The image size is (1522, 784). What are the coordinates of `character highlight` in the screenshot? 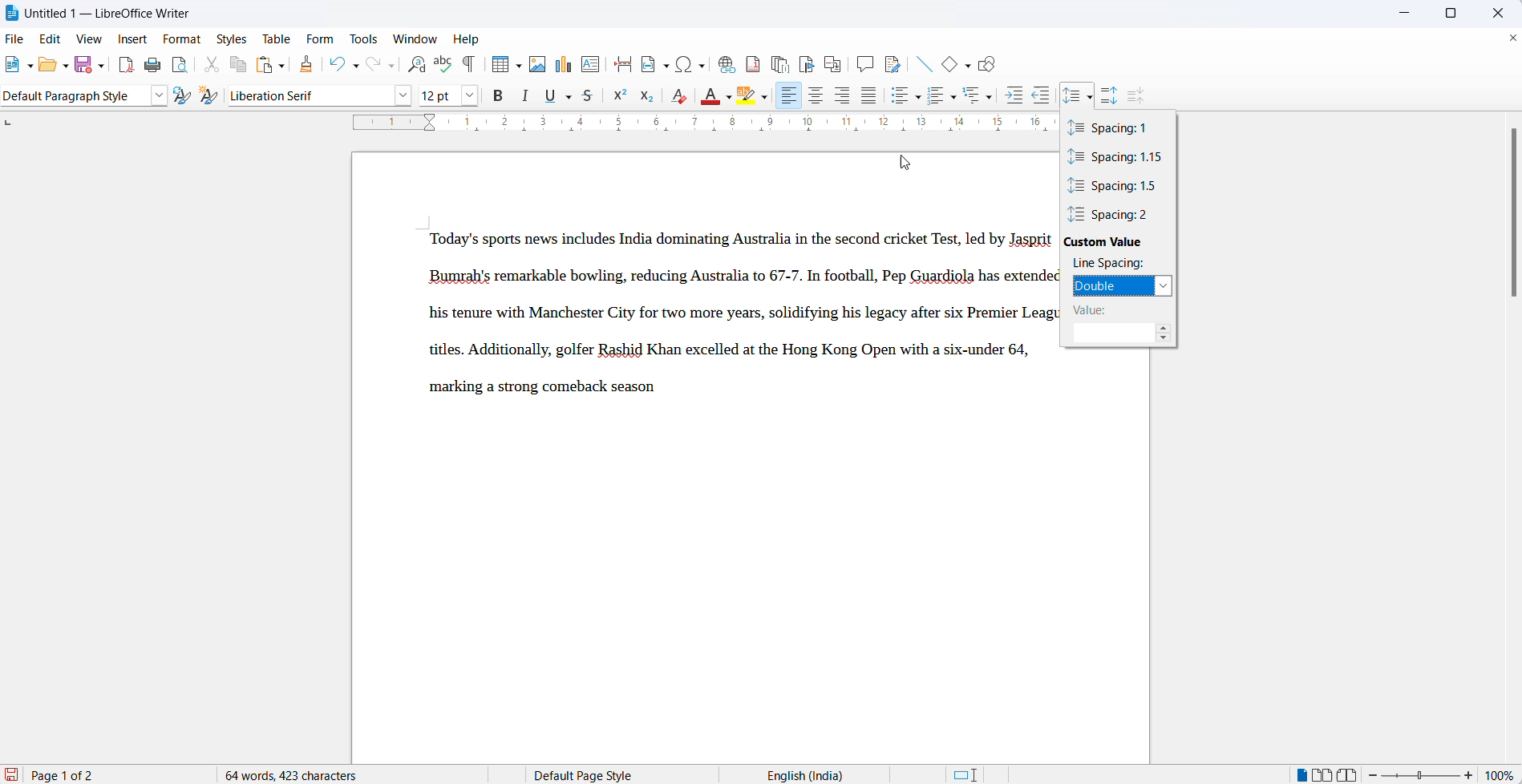 It's located at (745, 95).